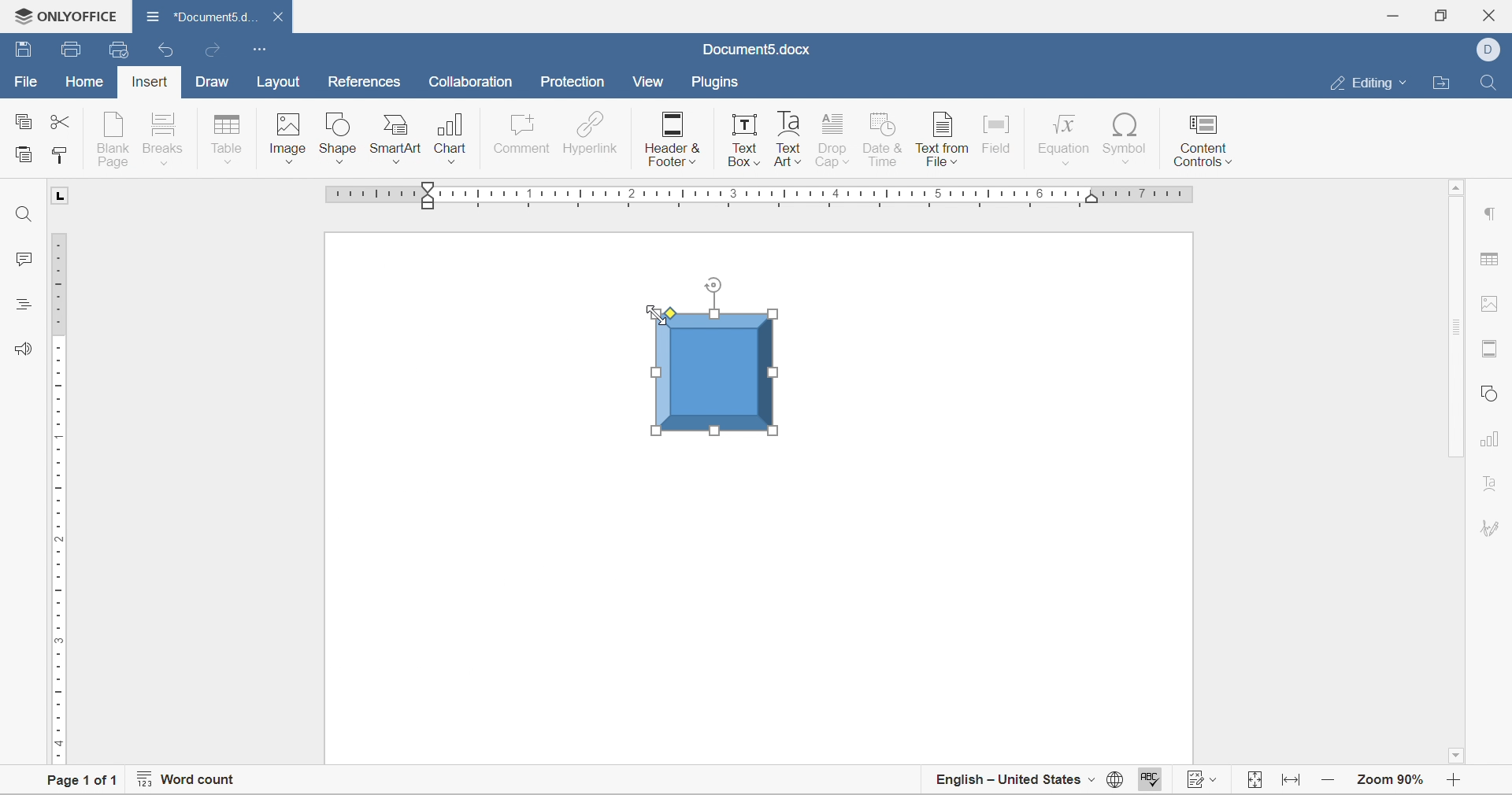 The image size is (1512, 795). I want to click on document5d, so click(205, 14).